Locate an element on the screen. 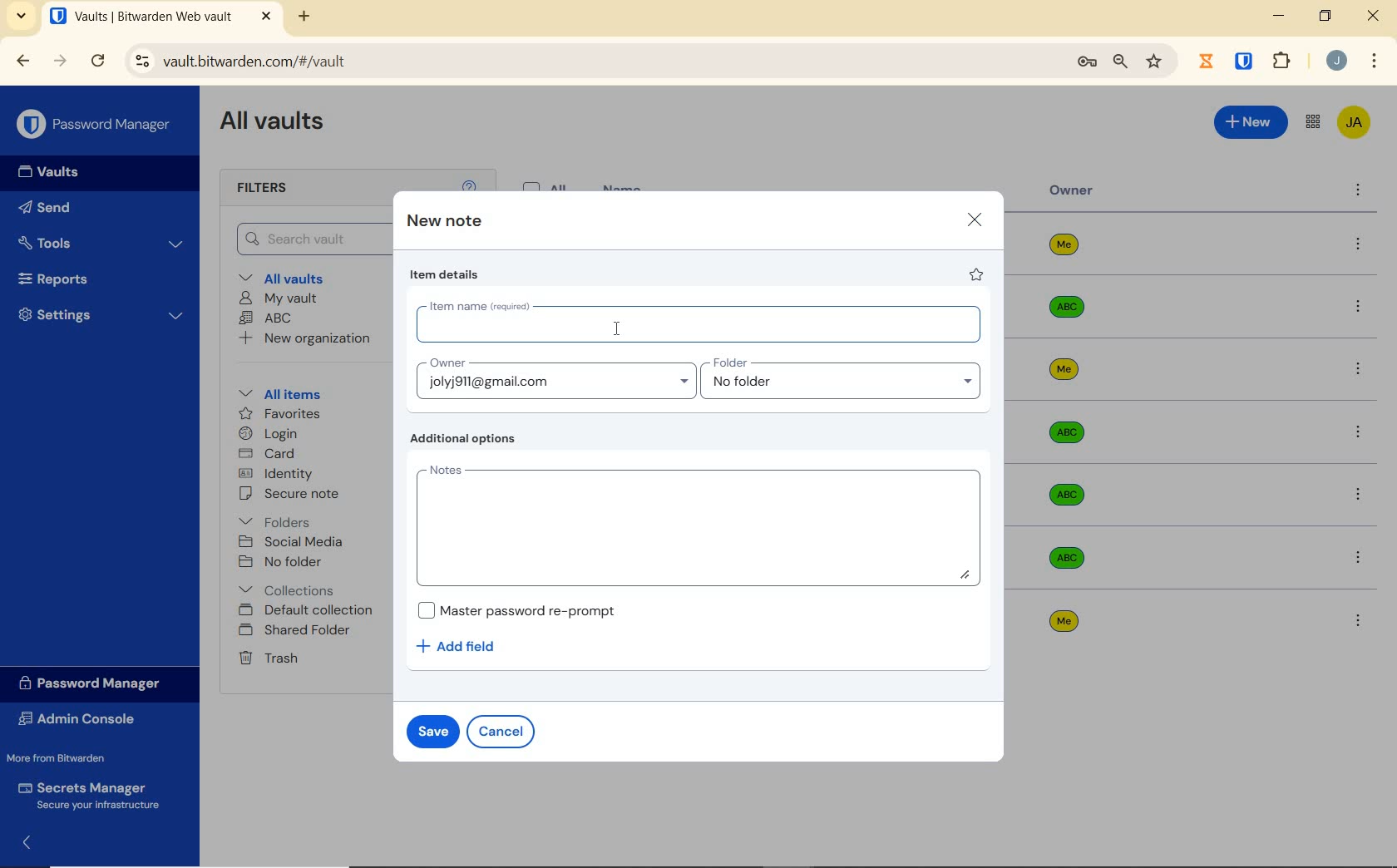  Send is located at coordinates (76, 210).